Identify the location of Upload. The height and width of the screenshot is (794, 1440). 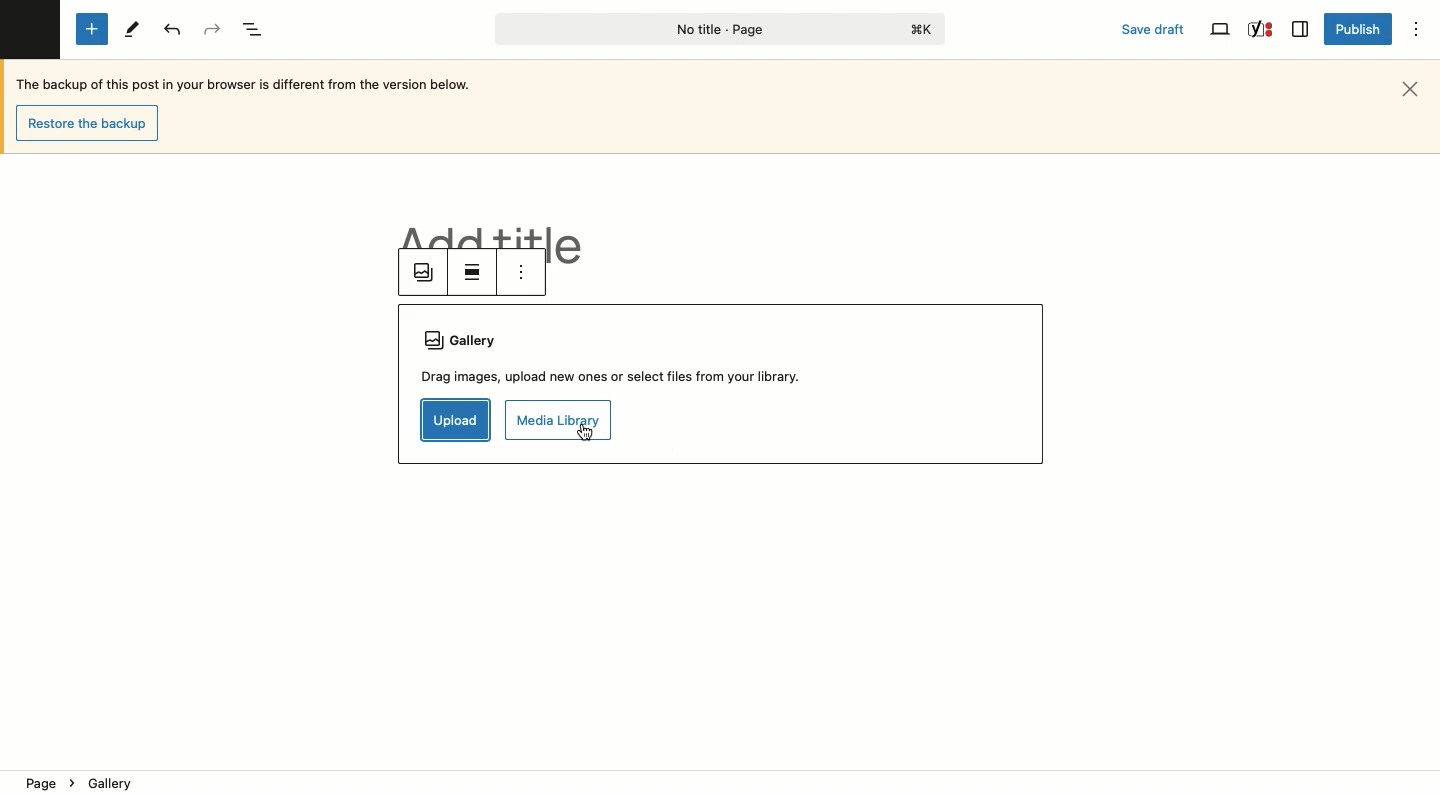
(455, 421).